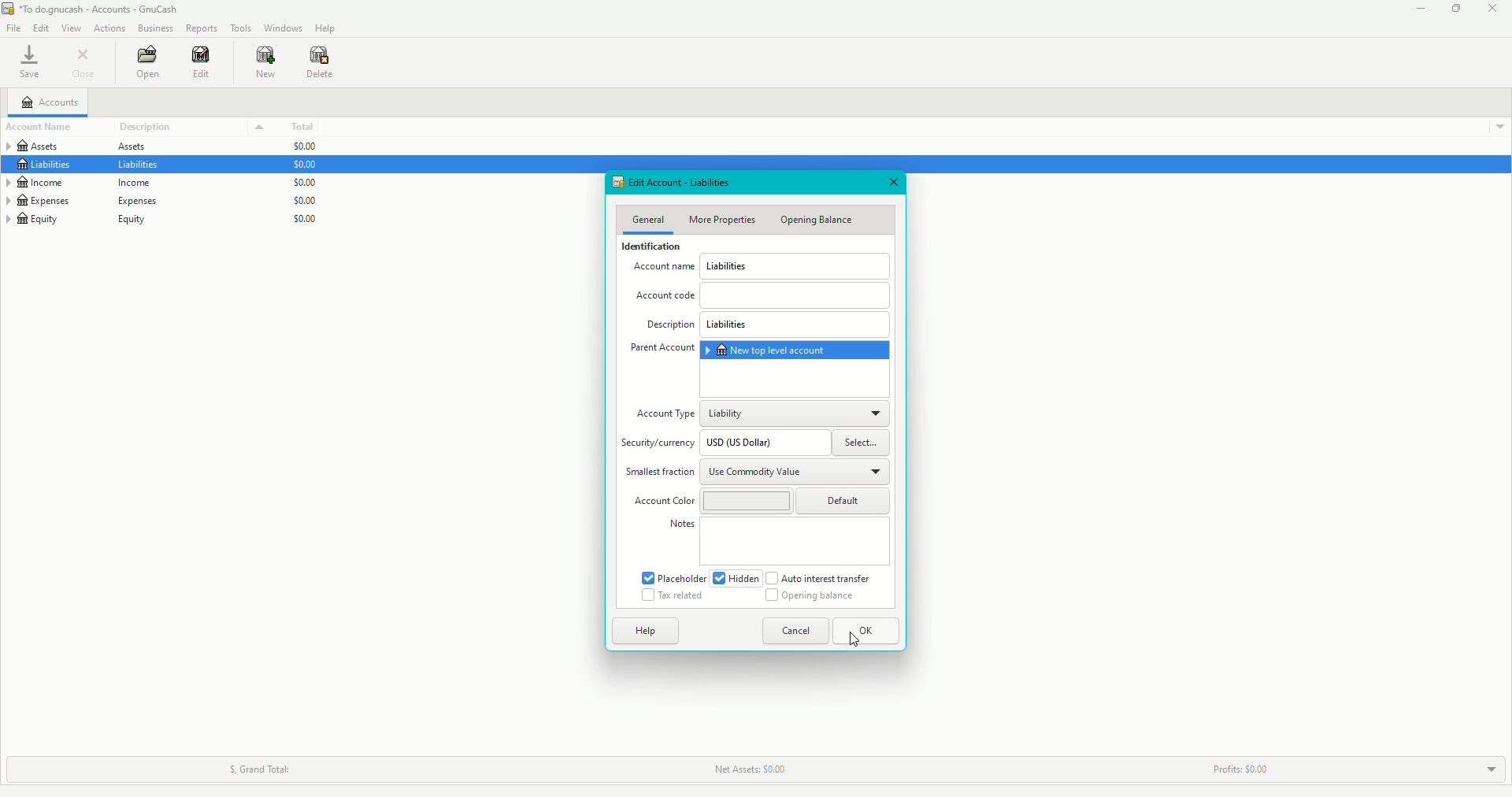 Image resolution: width=1512 pixels, height=797 pixels. Describe the element at coordinates (797, 413) in the screenshot. I see `Liability` at that location.